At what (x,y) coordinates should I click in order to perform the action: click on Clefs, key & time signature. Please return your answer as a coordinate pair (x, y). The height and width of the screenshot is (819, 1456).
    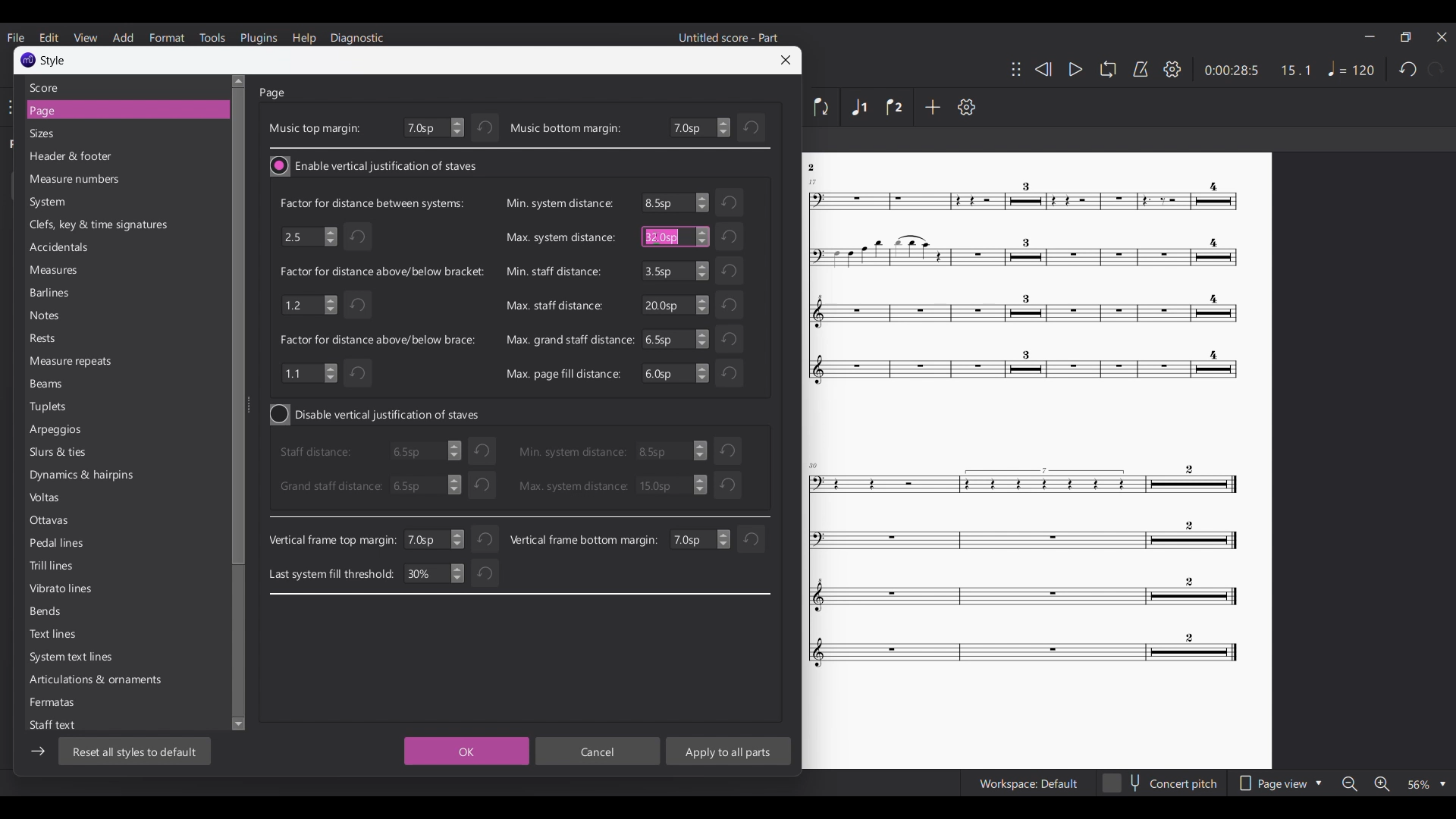
    Looking at the image, I should click on (105, 225).